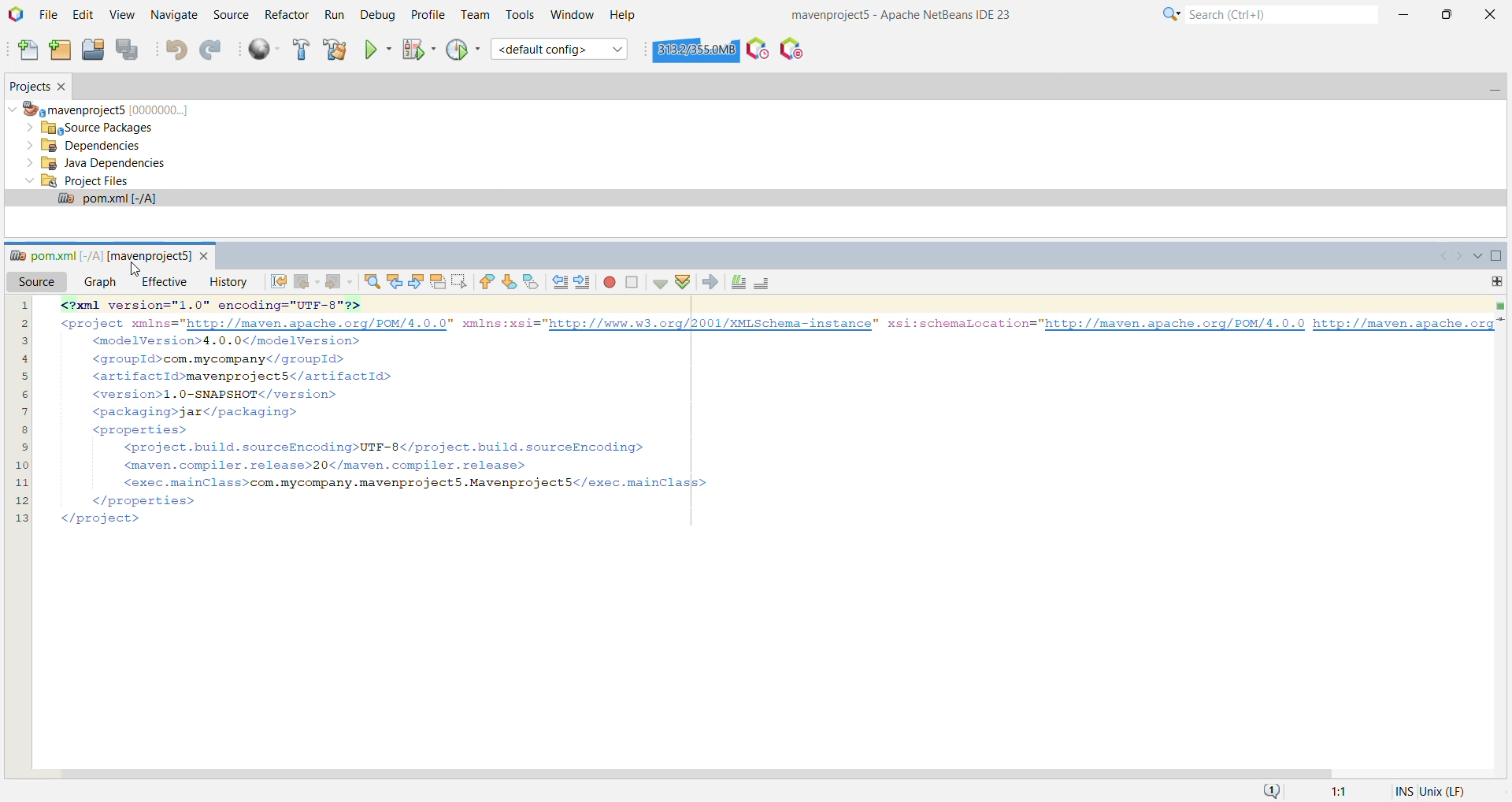 The width and height of the screenshot is (1512, 802). I want to click on 10, so click(21, 462).